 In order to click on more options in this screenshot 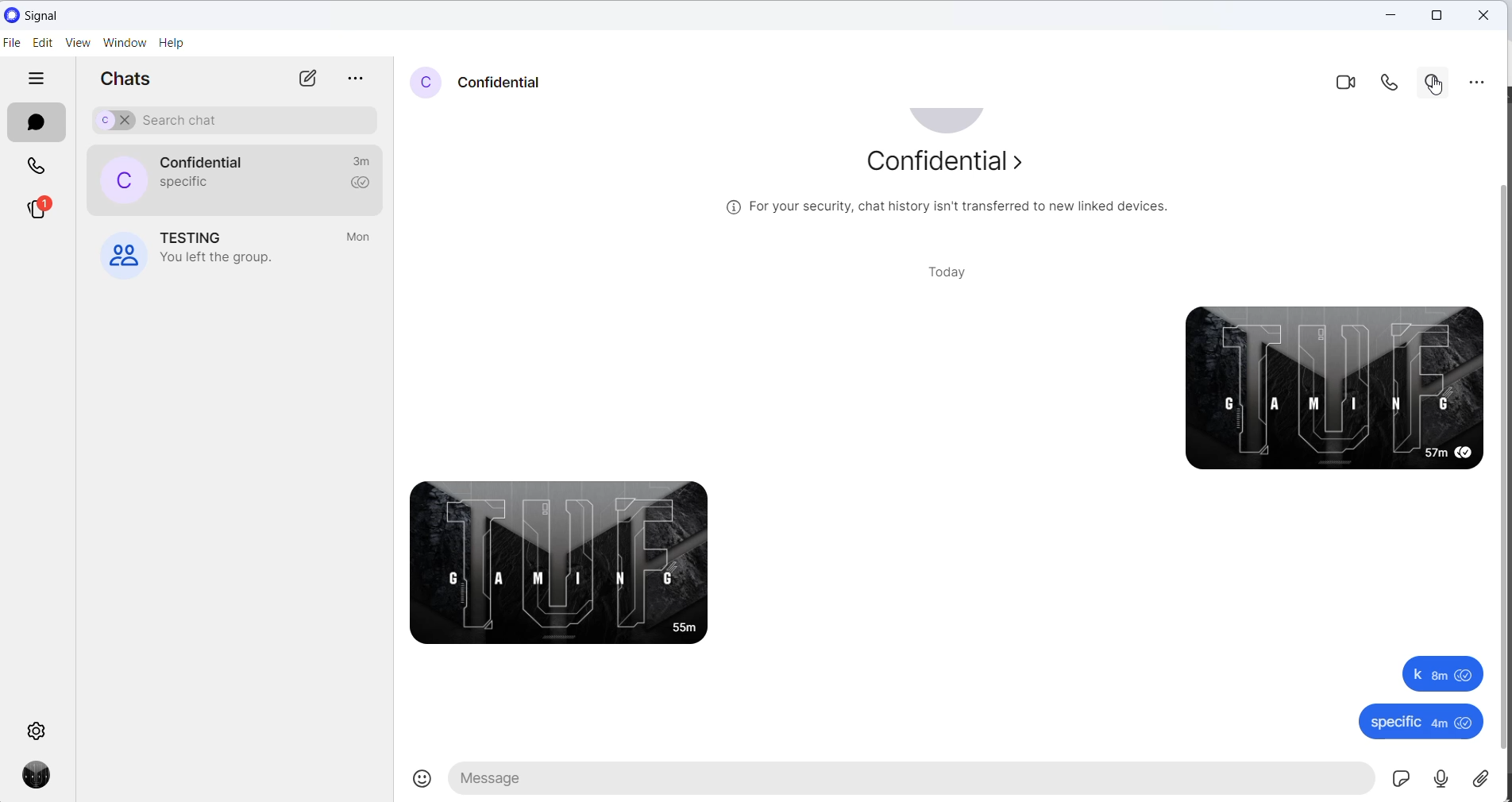, I will do `click(353, 81)`.